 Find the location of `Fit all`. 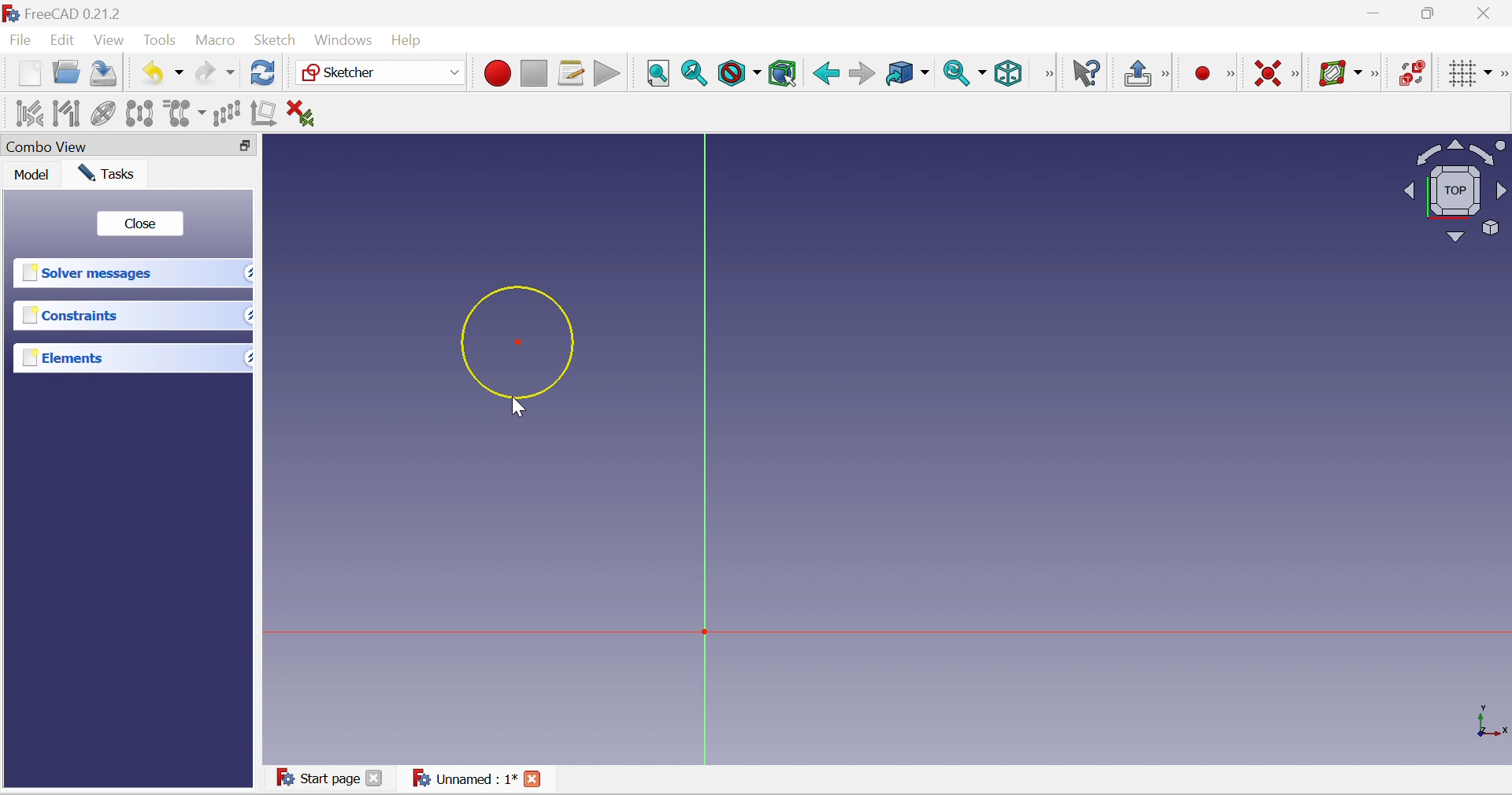

Fit all is located at coordinates (657, 73).